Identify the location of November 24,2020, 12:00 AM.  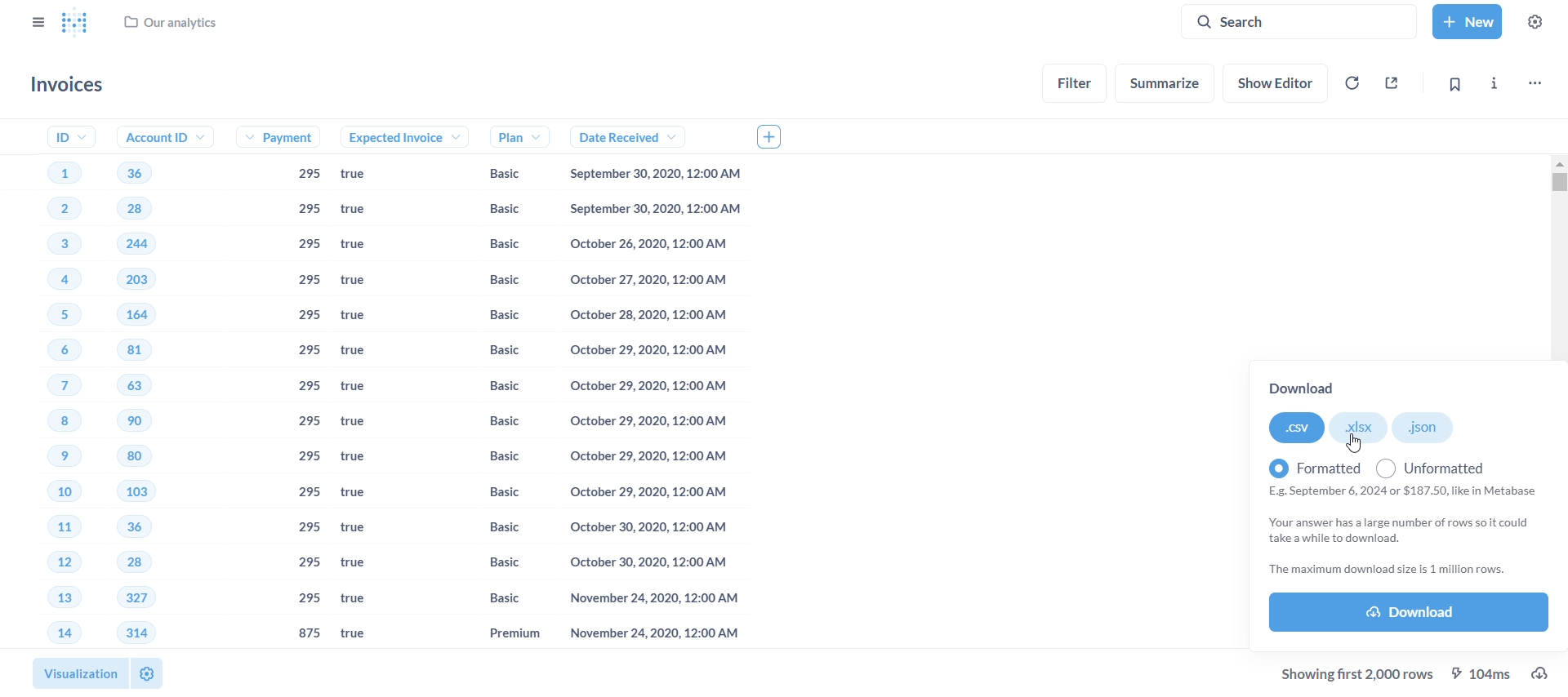
(644, 600).